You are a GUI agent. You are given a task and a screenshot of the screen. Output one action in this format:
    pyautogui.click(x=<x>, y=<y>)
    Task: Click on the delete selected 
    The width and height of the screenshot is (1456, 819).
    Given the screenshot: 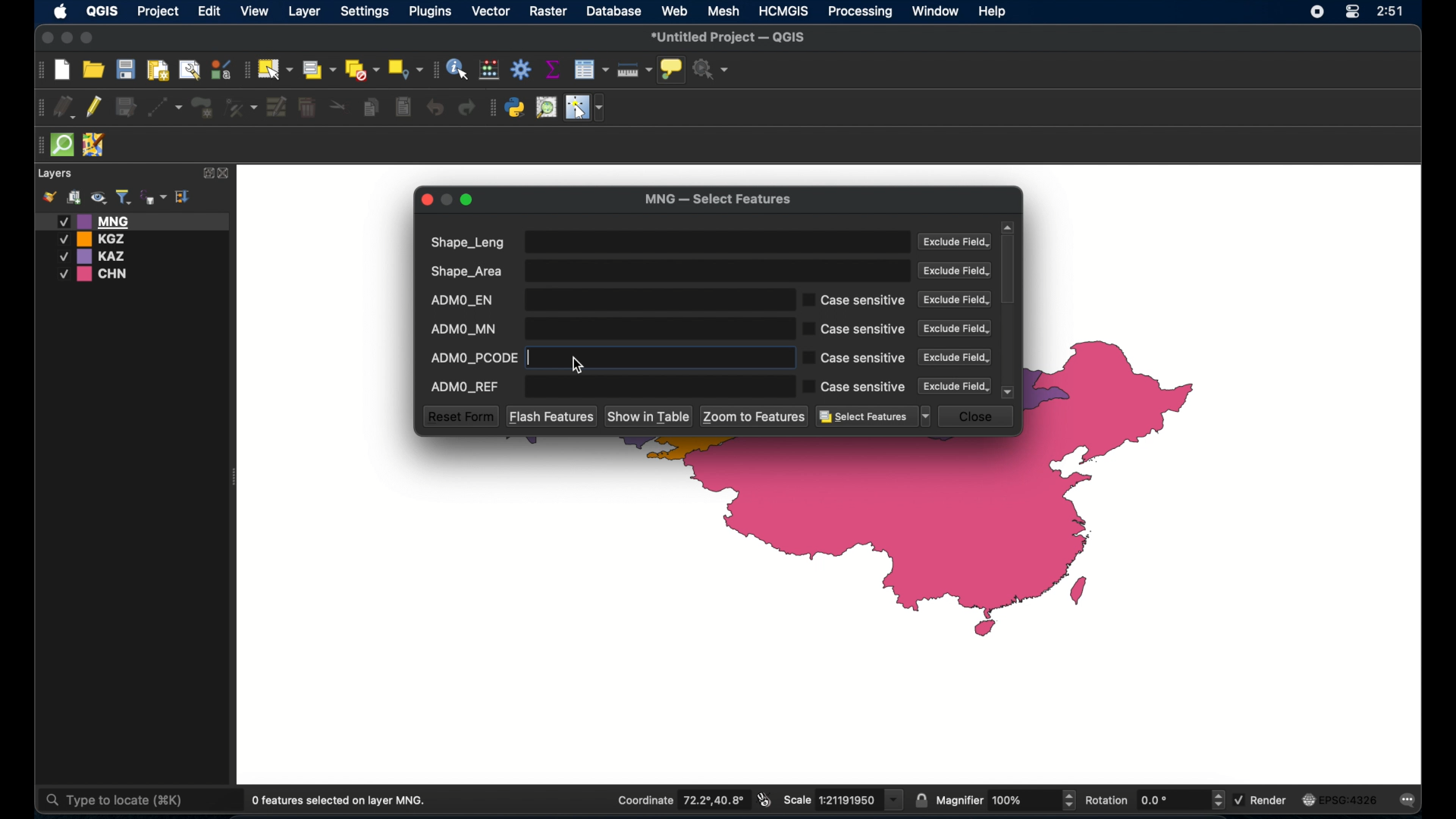 What is the action you would take?
    pyautogui.click(x=309, y=108)
    